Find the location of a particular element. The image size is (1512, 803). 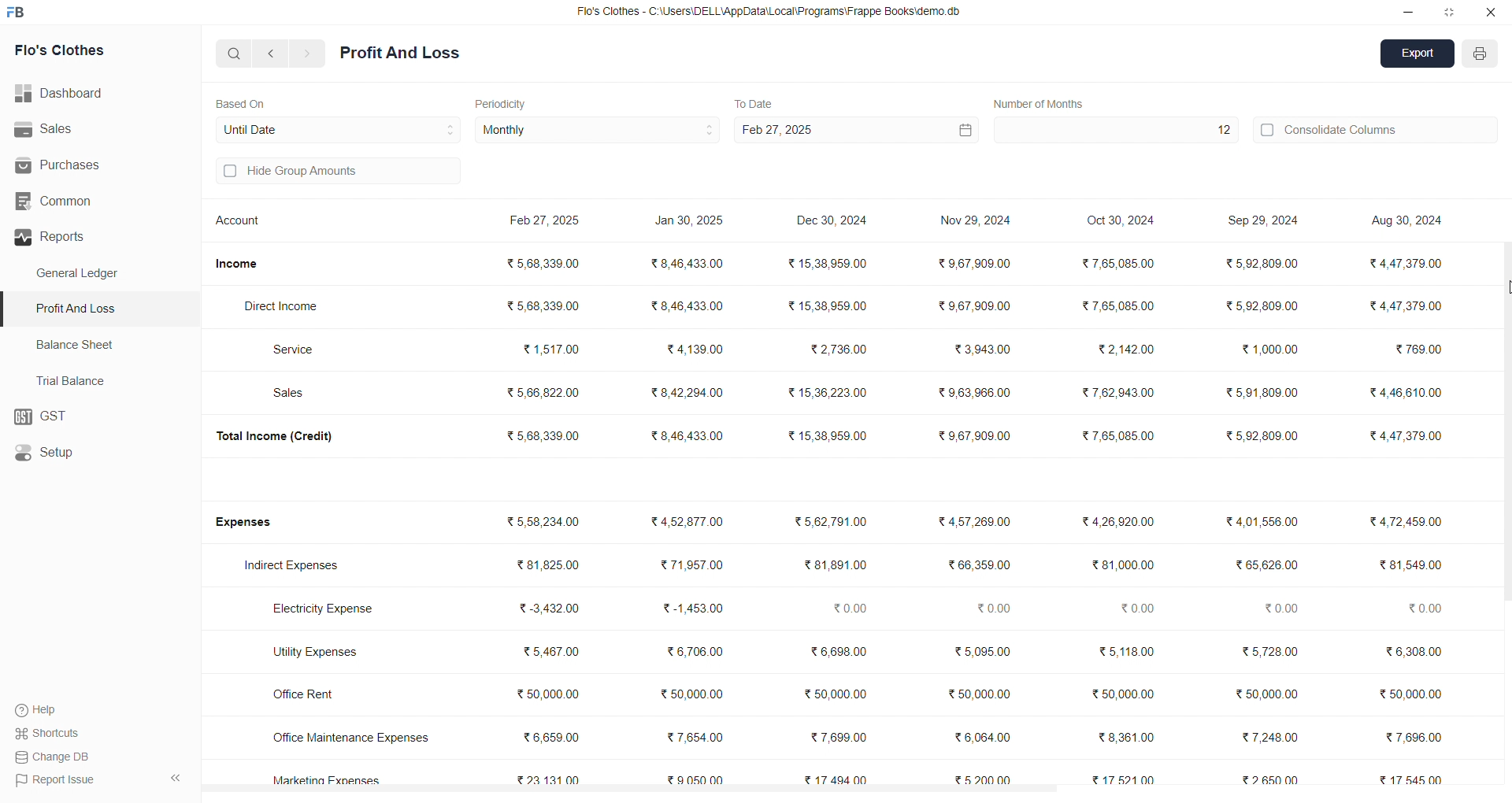

₹7,699.00 is located at coordinates (848, 736).